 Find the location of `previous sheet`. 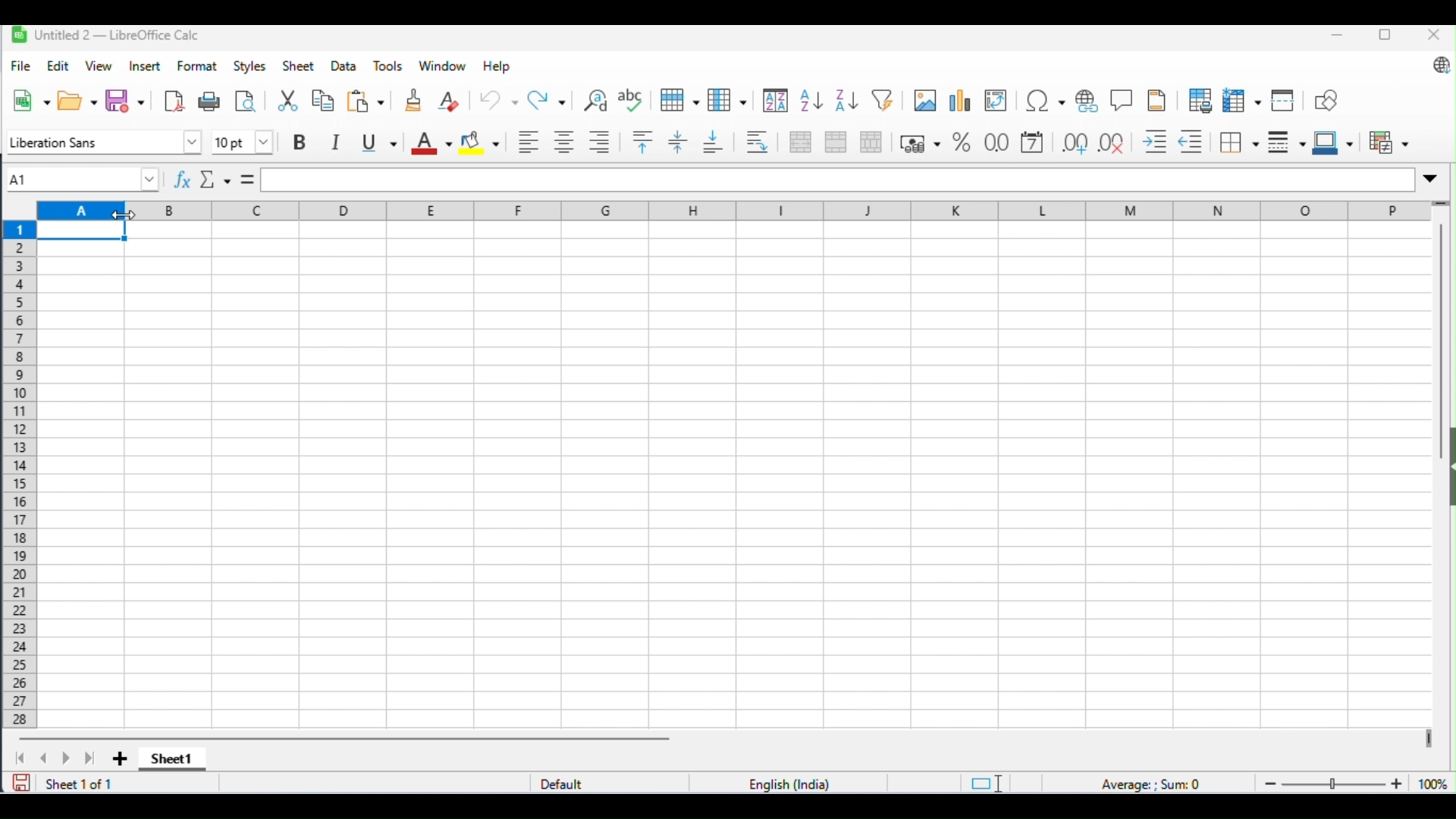

previous sheet is located at coordinates (44, 758).